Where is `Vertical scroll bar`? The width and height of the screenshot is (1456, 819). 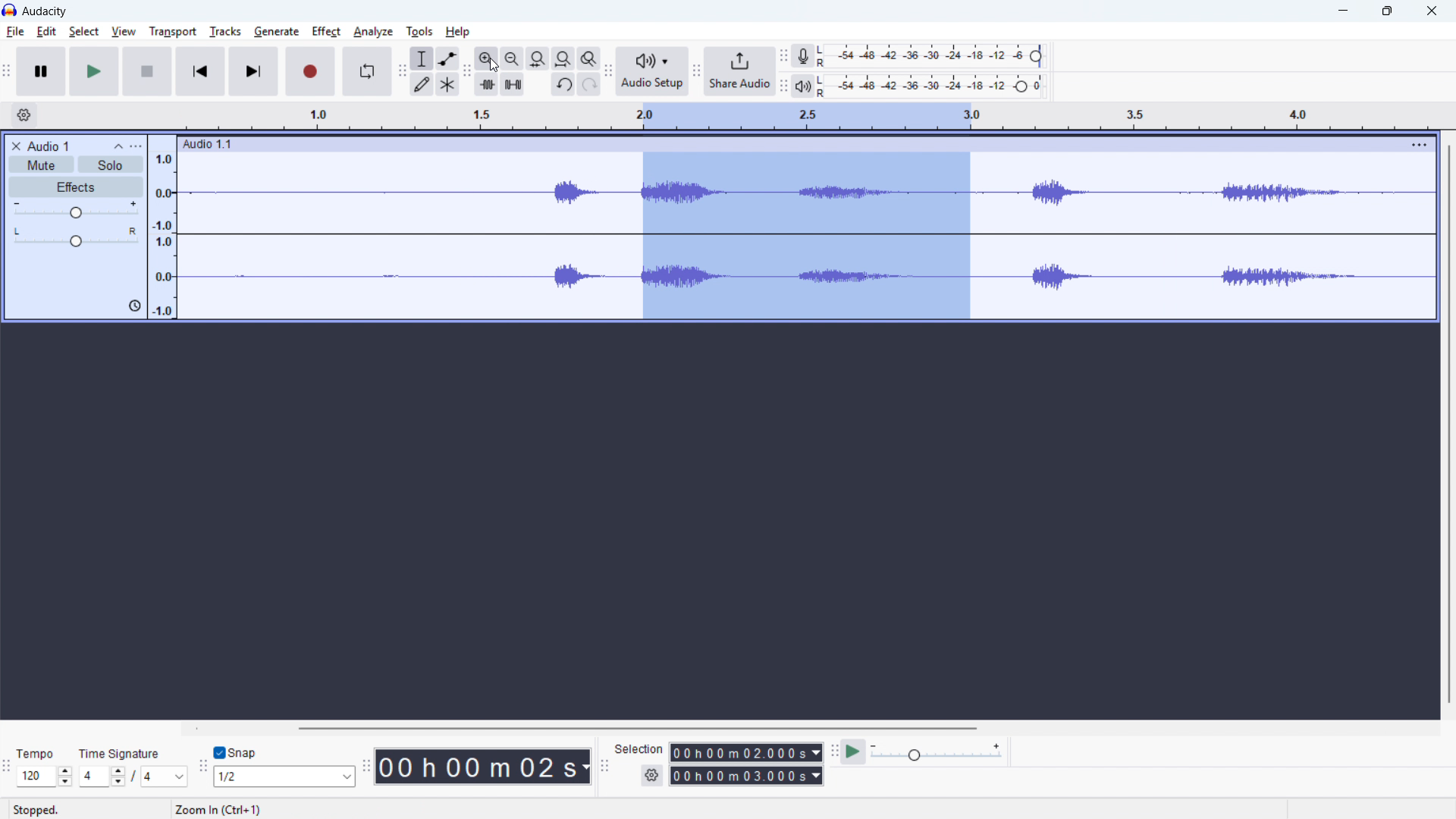
Vertical scroll bar is located at coordinates (1447, 435).